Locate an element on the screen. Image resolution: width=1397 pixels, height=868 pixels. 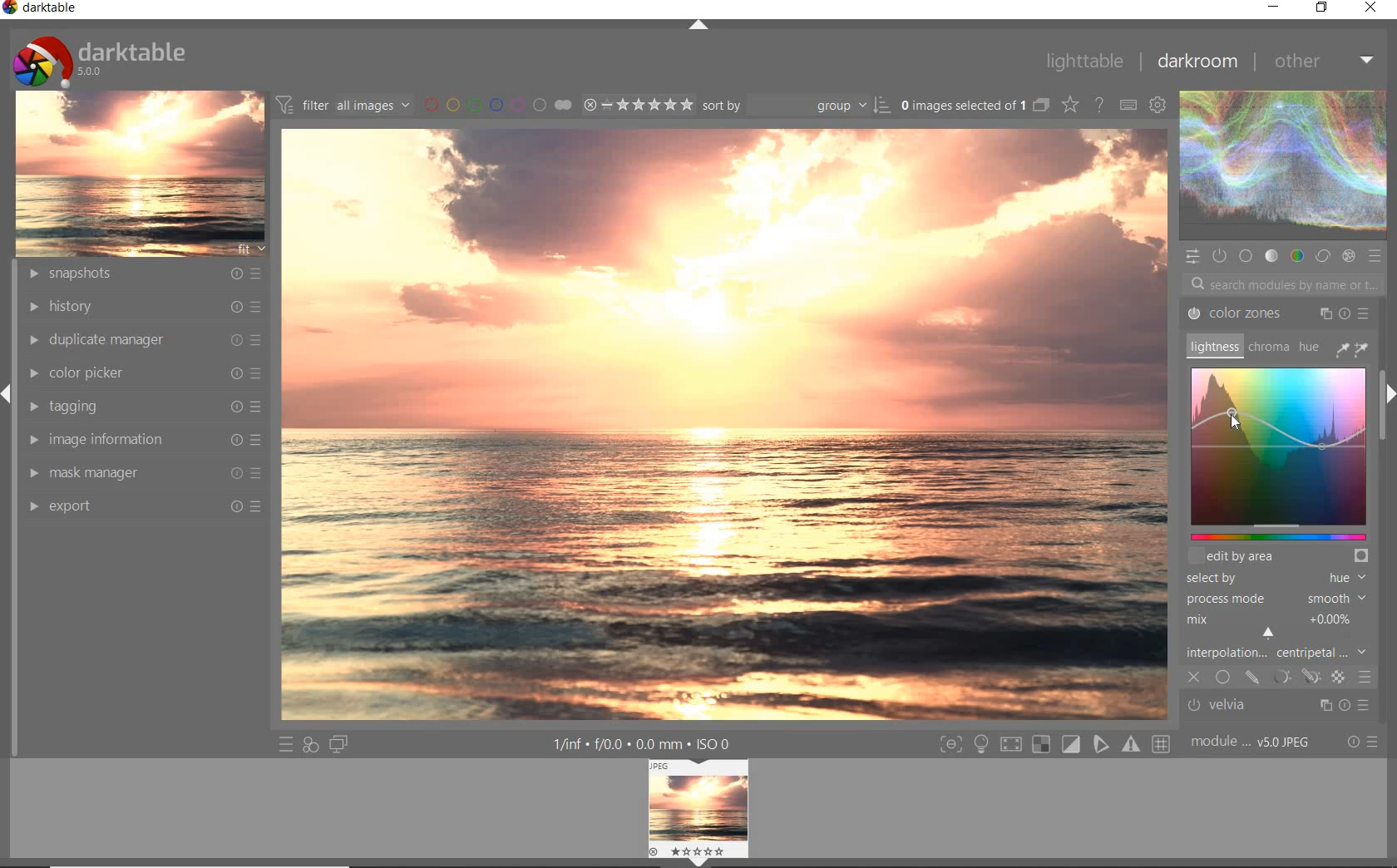
SYSTEM LOGO & NAME is located at coordinates (99, 57).